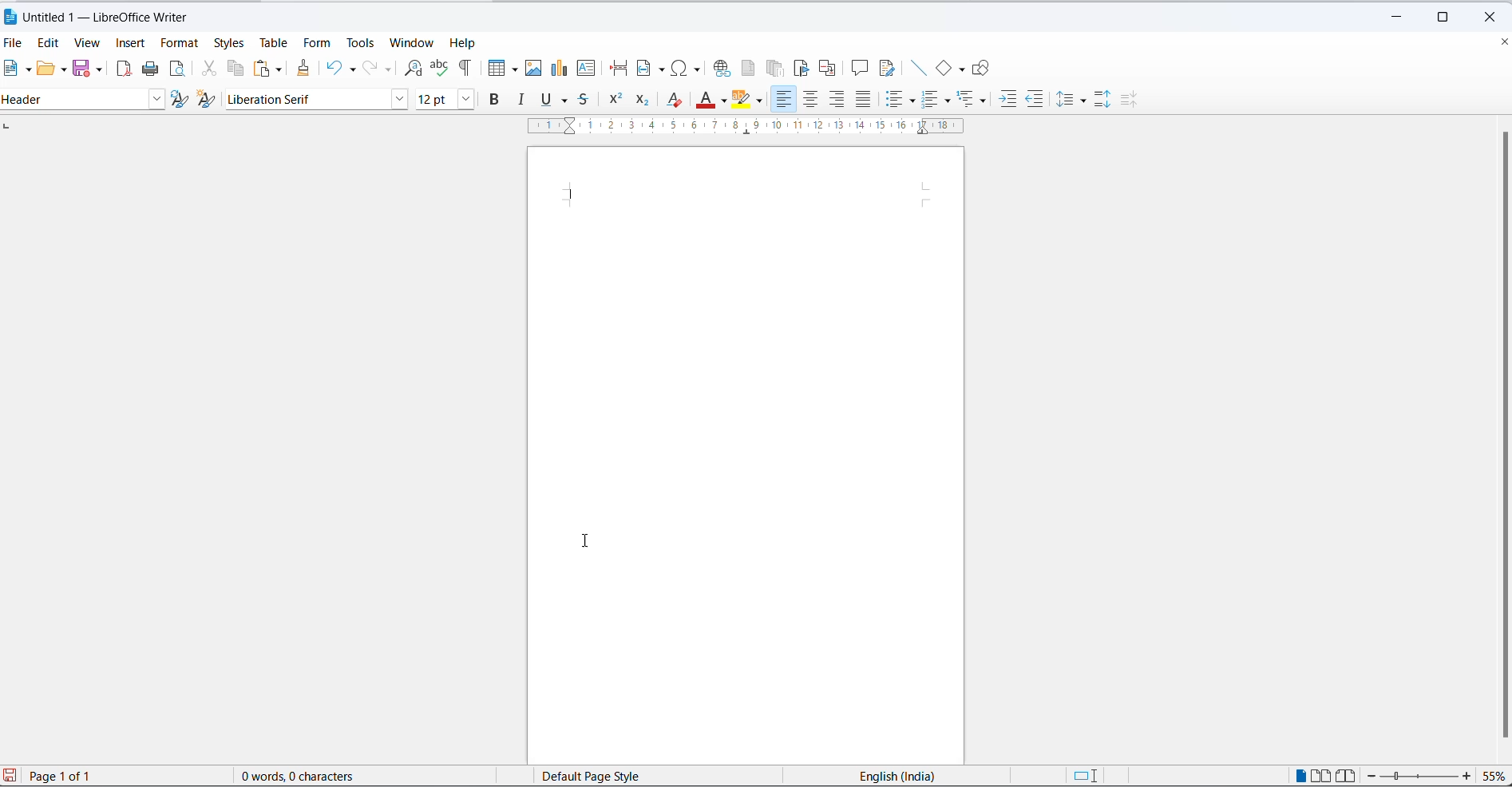 The height and width of the screenshot is (787, 1512). Describe the element at coordinates (177, 43) in the screenshot. I see `format` at that location.